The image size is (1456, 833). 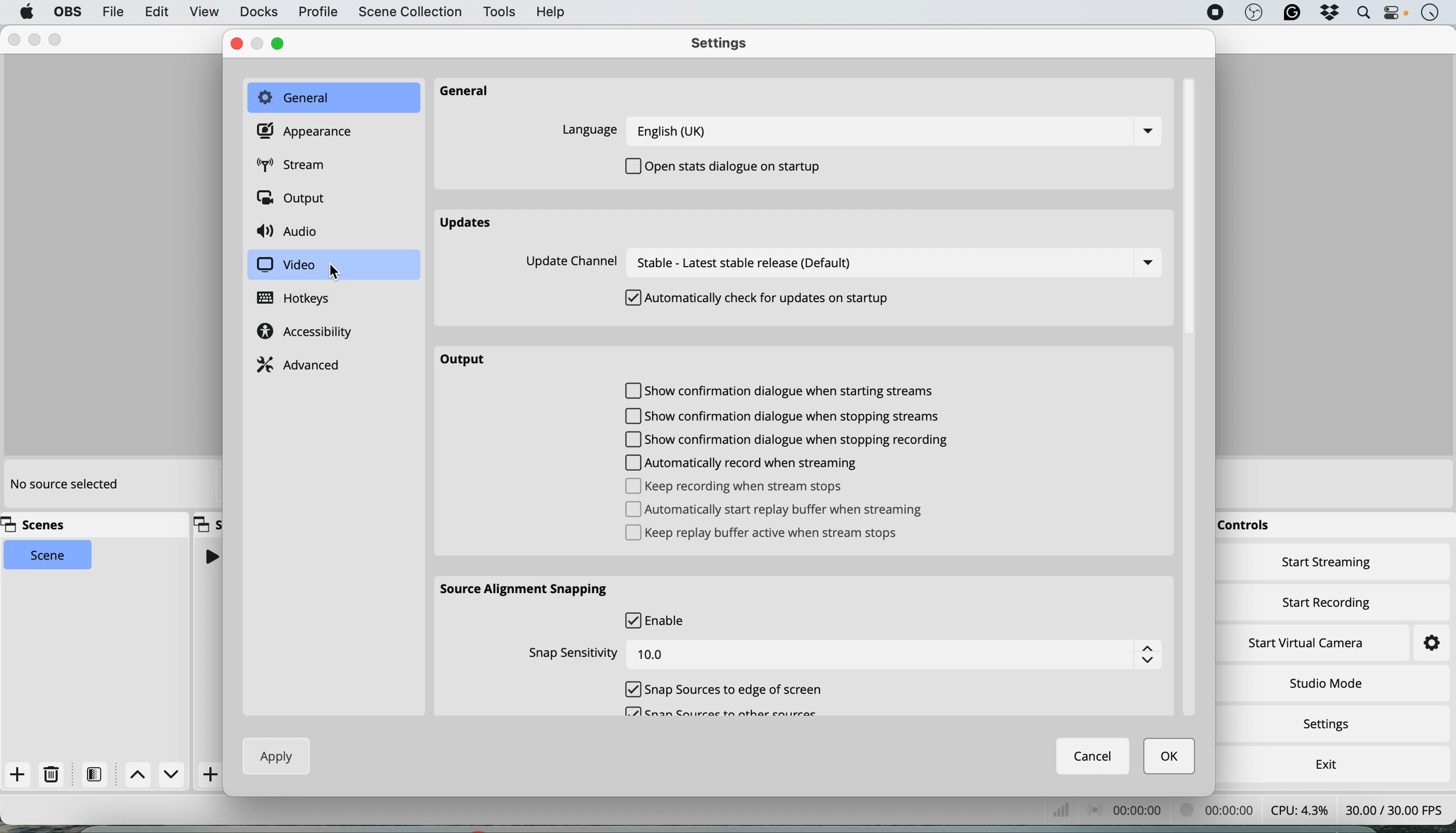 What do you see at coordinates (1330, 14) in the screenshot?
I see `dropbox` at bounding box center [1330, 14].